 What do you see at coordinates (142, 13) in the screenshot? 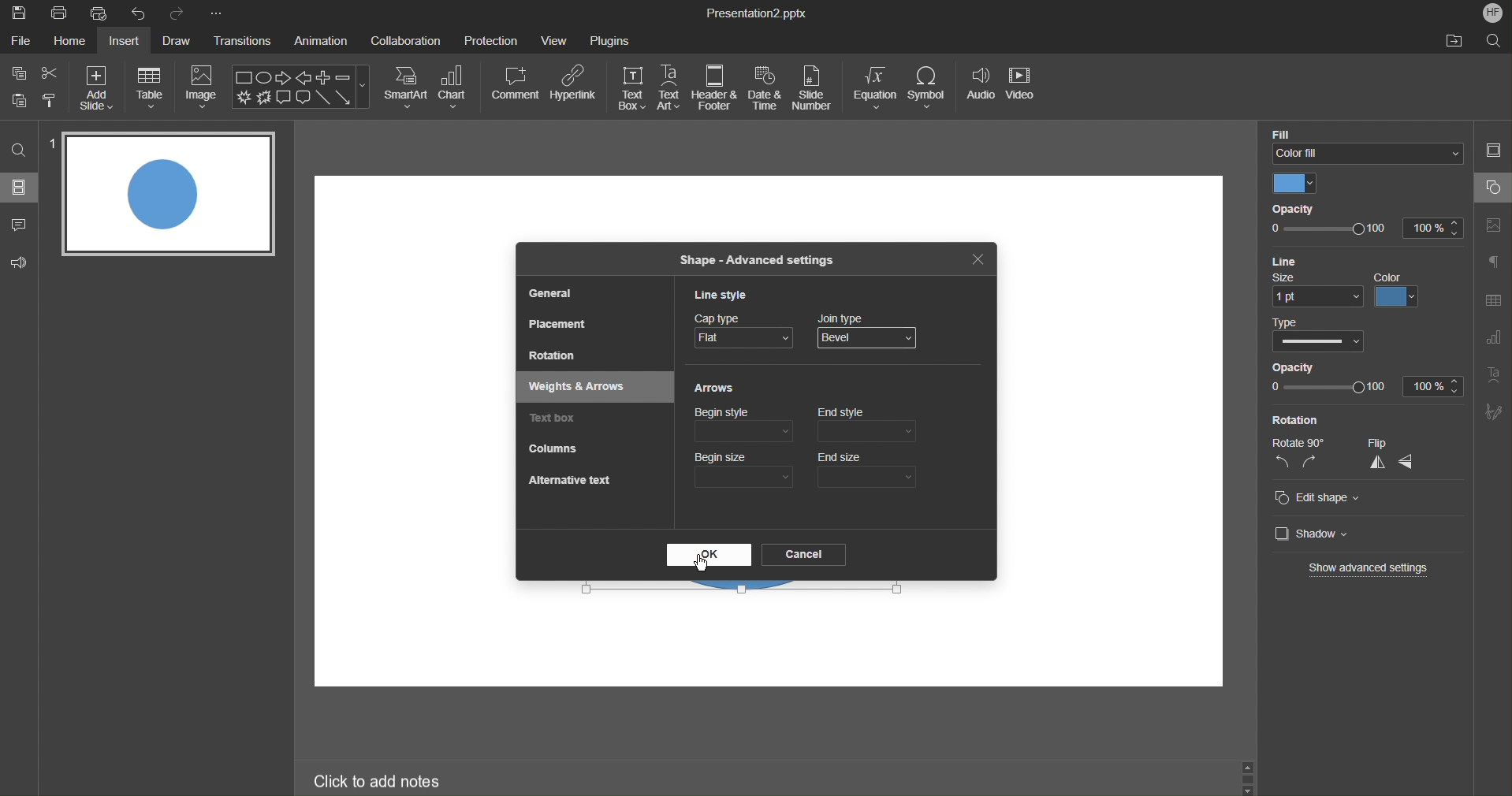
I see `Undo` at bounding box center [142, 13].